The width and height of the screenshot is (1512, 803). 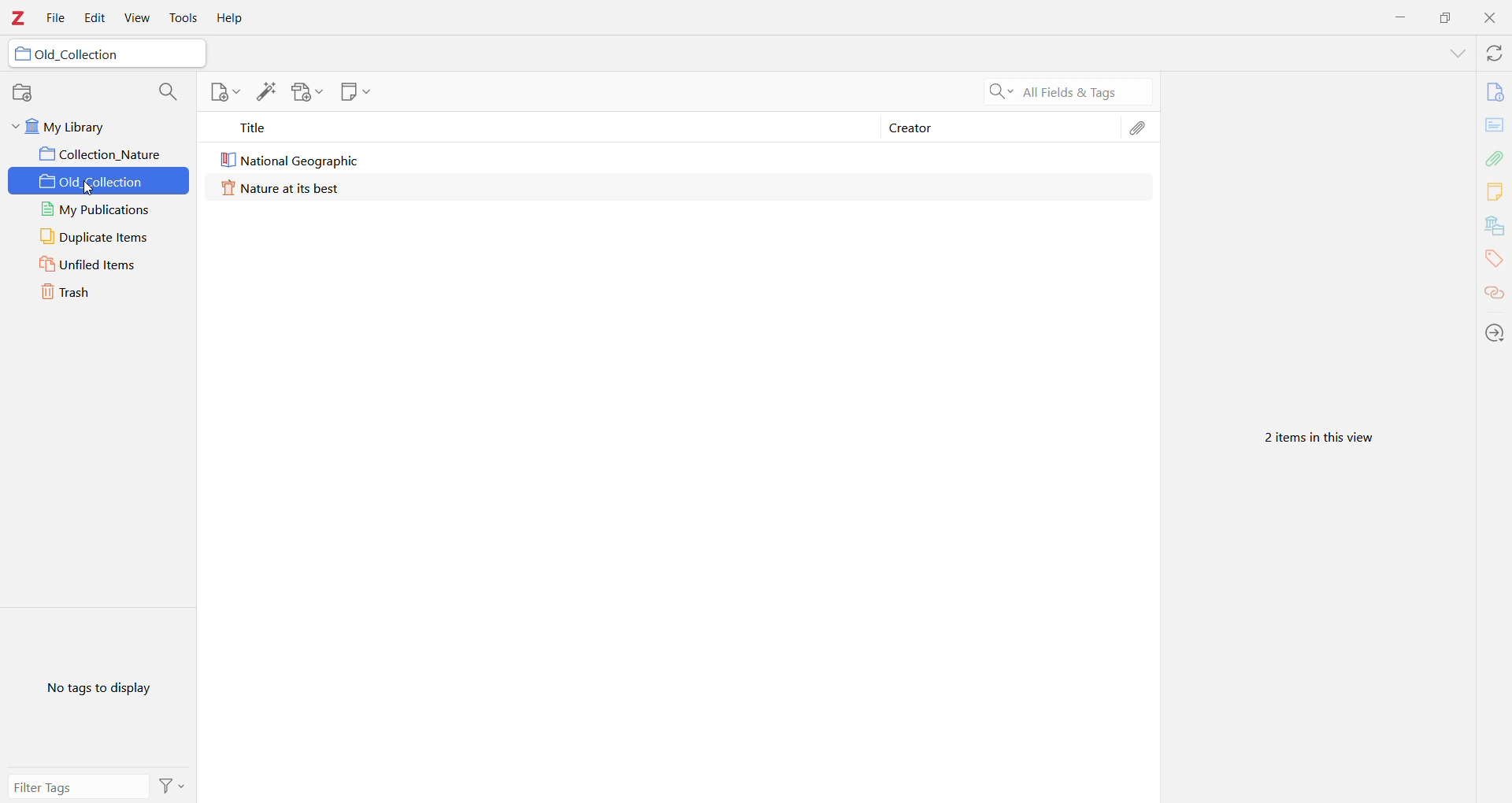 What do you see at coordinates (265, 92) in the screenshot?
I see `Add Item(s) by Identifier` at bounding box center [265, 92].